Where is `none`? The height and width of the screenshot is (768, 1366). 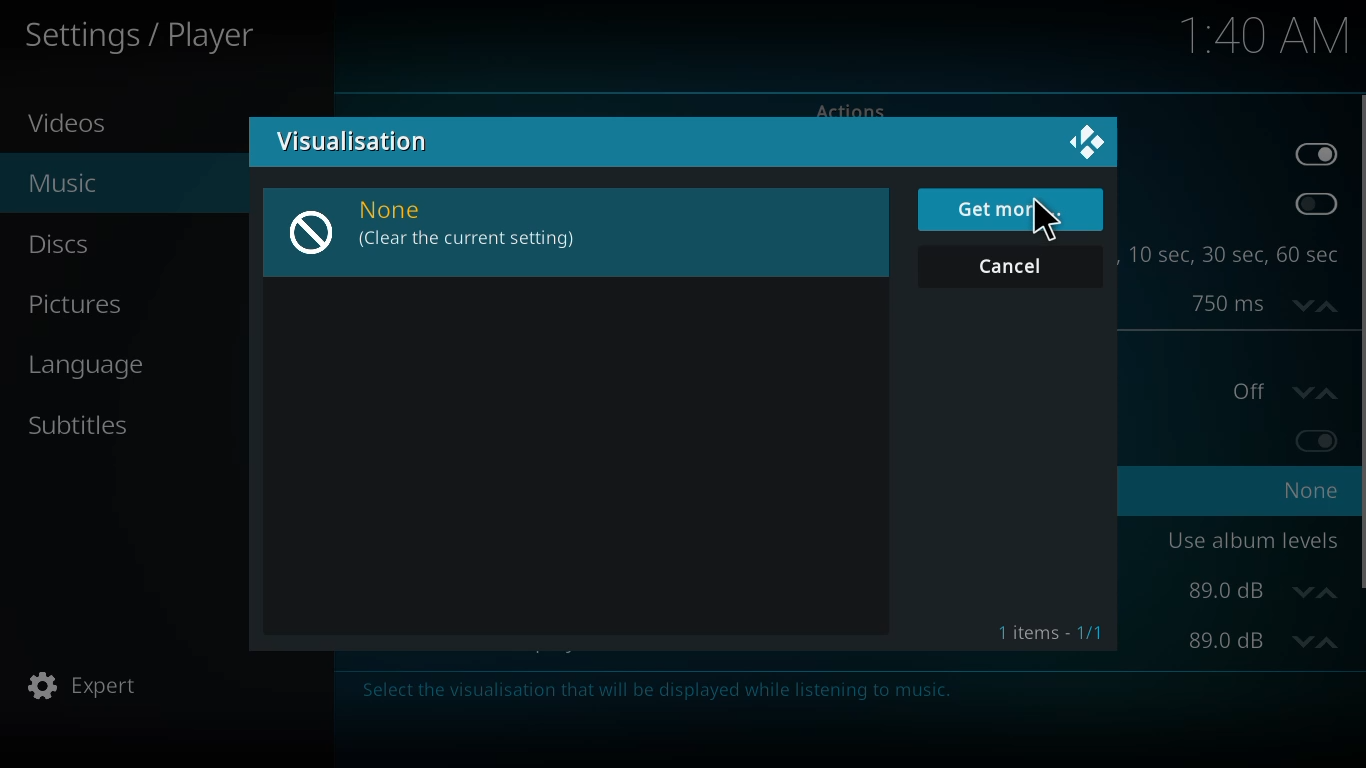
none is located at coordinates (1312, 489).